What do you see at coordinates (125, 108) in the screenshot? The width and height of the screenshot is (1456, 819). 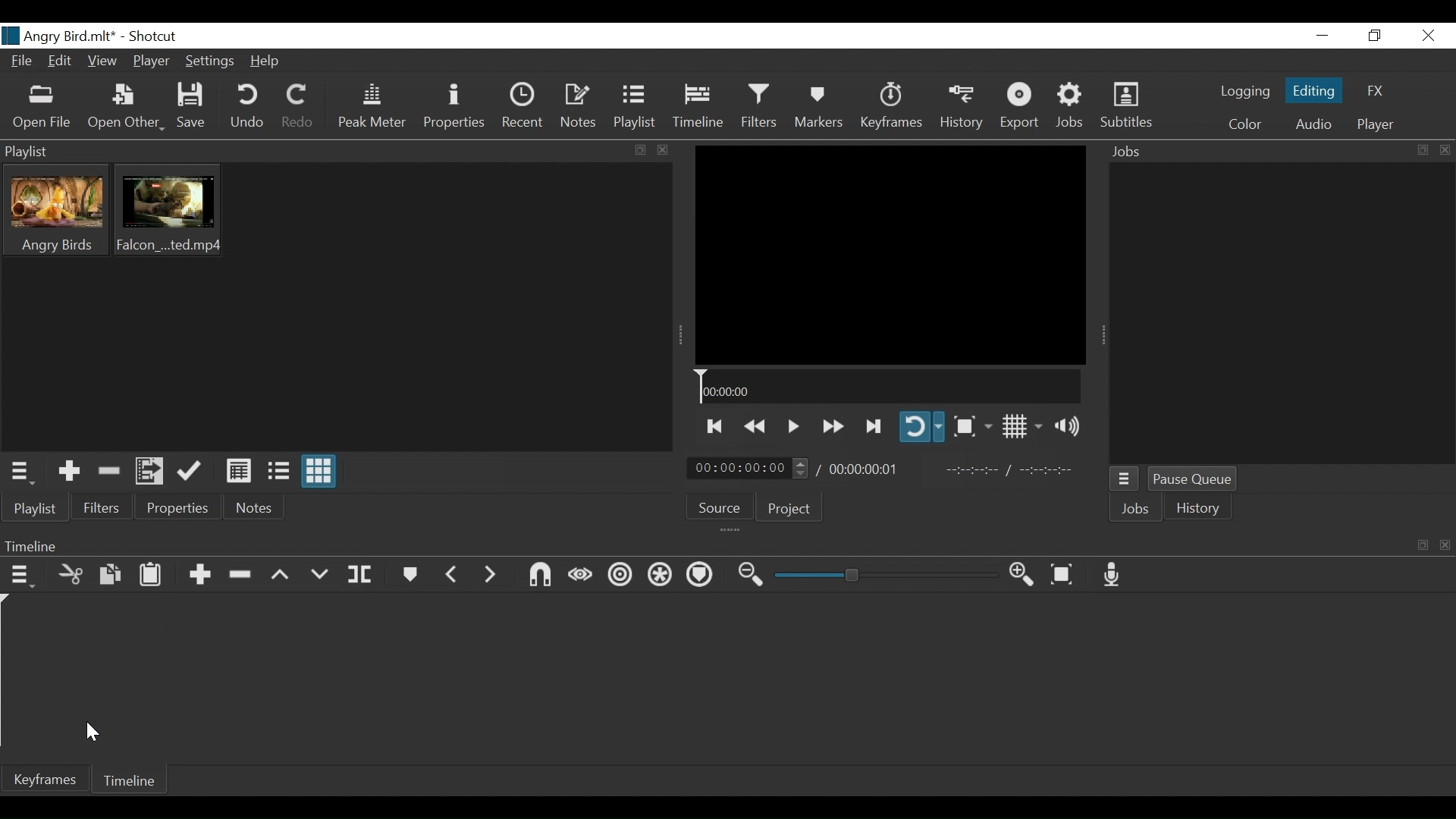 I see `Open Other` at bounding box center [125, 108].